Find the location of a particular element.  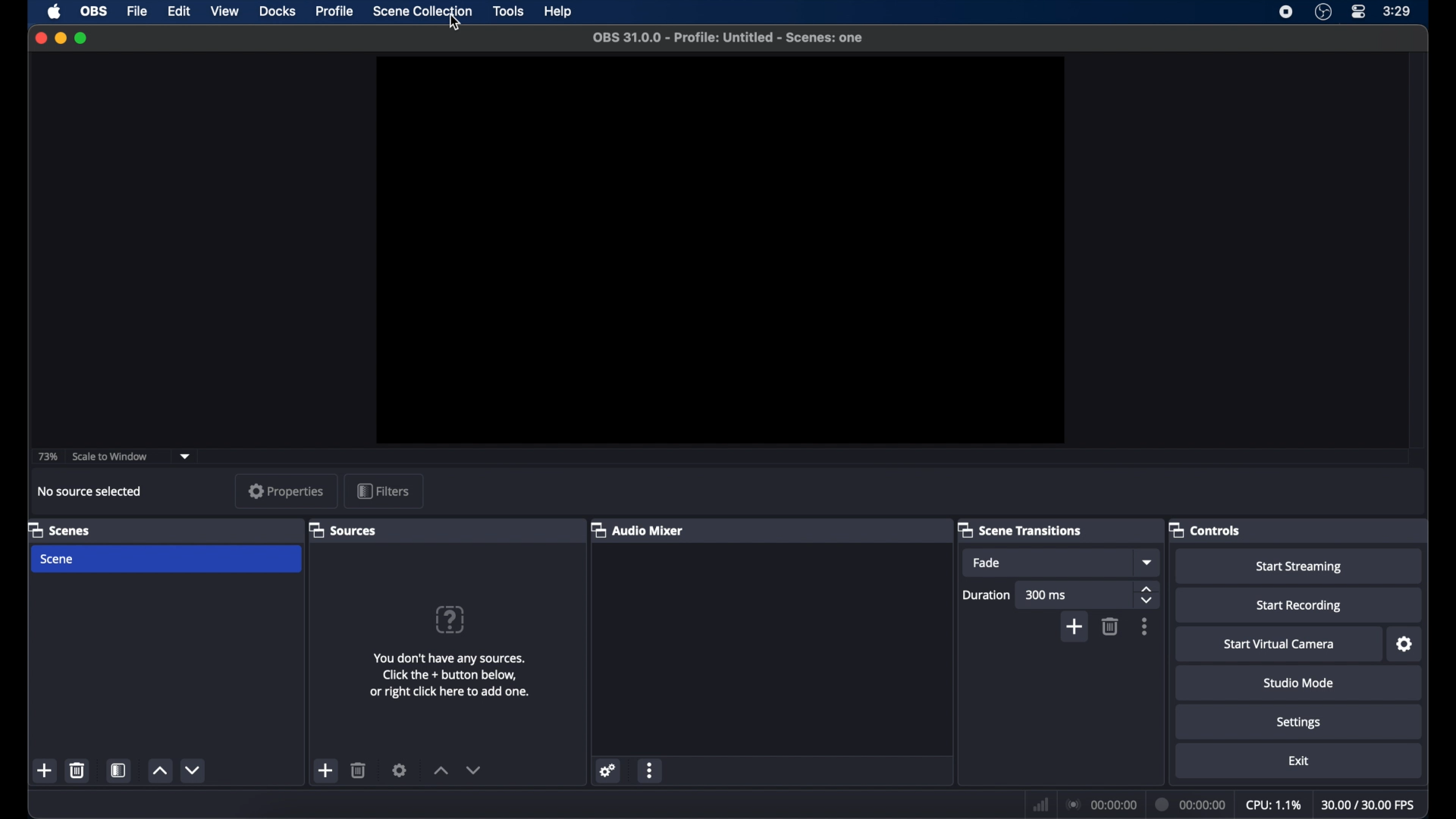

scene transitions is located at coordinates (1019, 530).